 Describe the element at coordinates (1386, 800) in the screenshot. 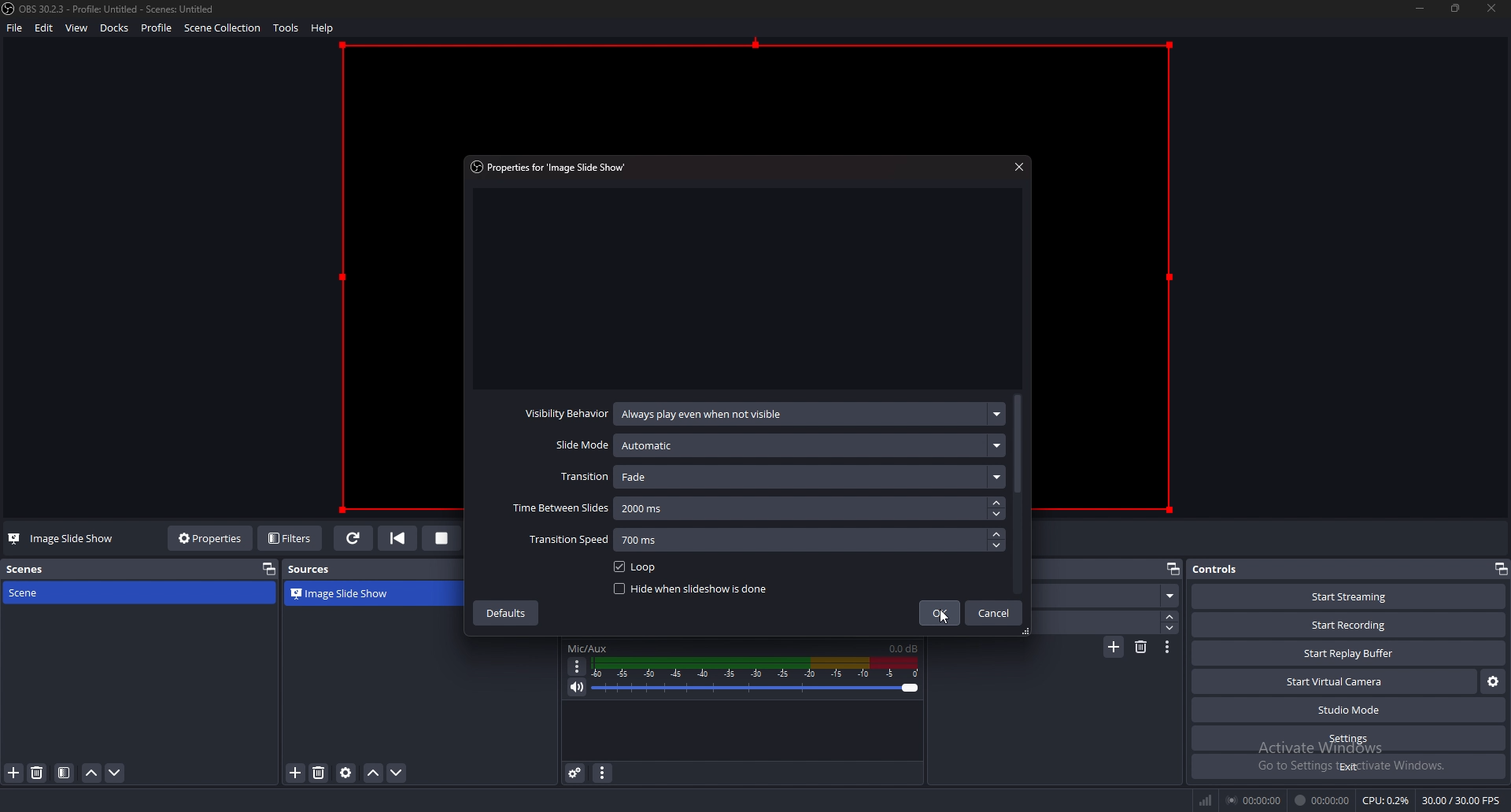

I see `cpu` at that location.